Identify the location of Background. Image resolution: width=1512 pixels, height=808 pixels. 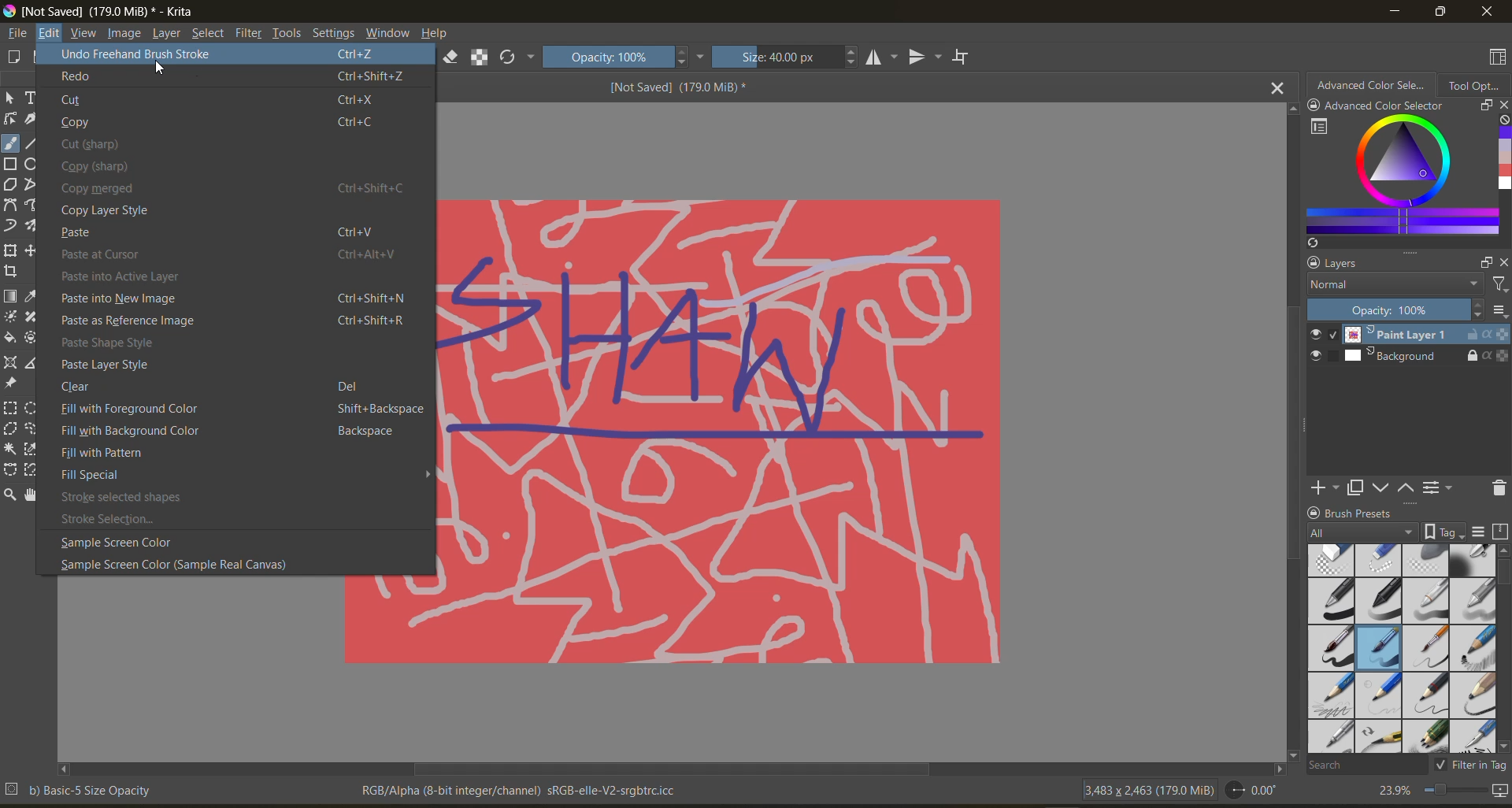
(1426, 358).